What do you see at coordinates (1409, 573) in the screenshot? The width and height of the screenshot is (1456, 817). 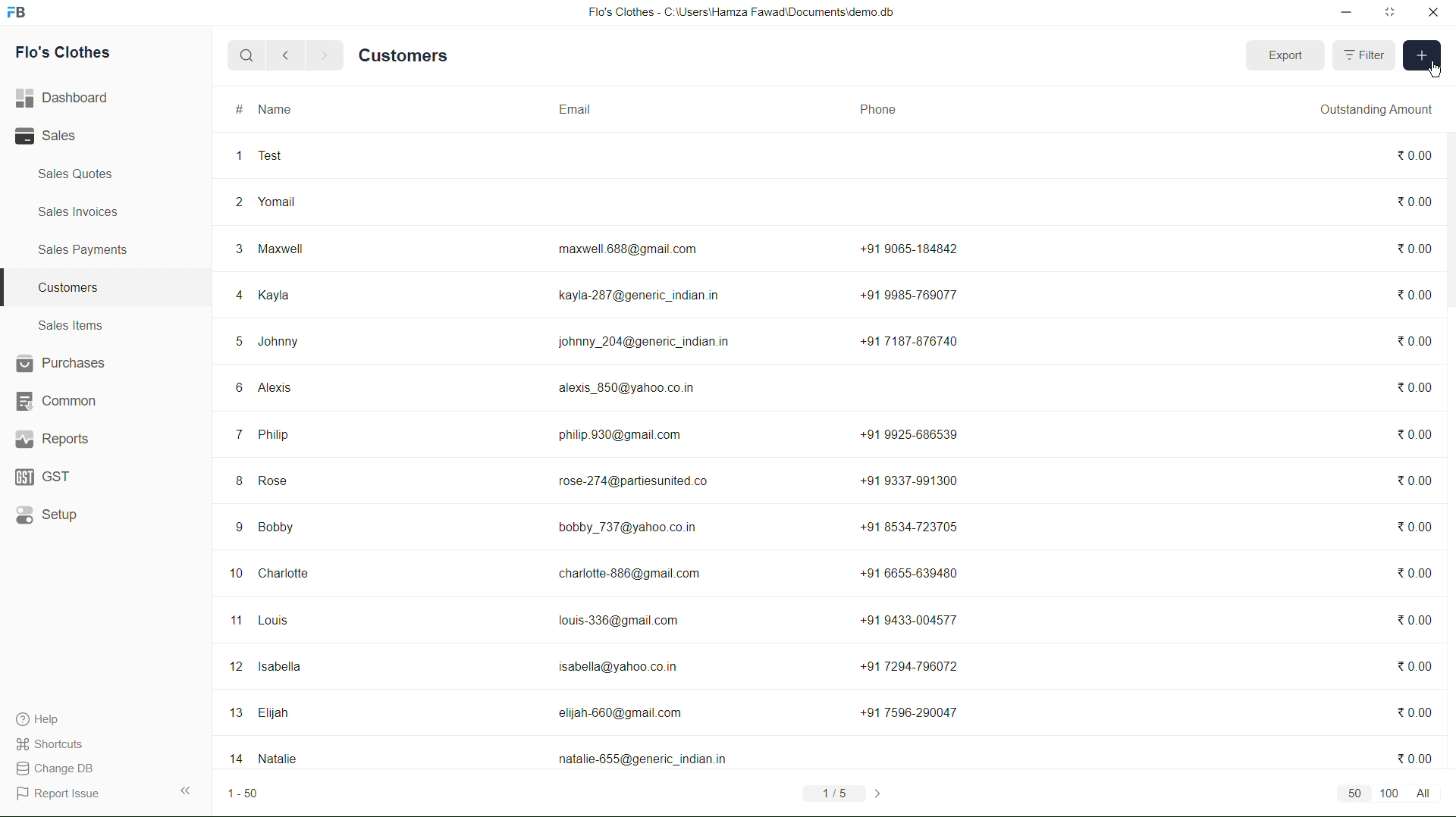 I see `0.00` at bounding box center [1409, 573].